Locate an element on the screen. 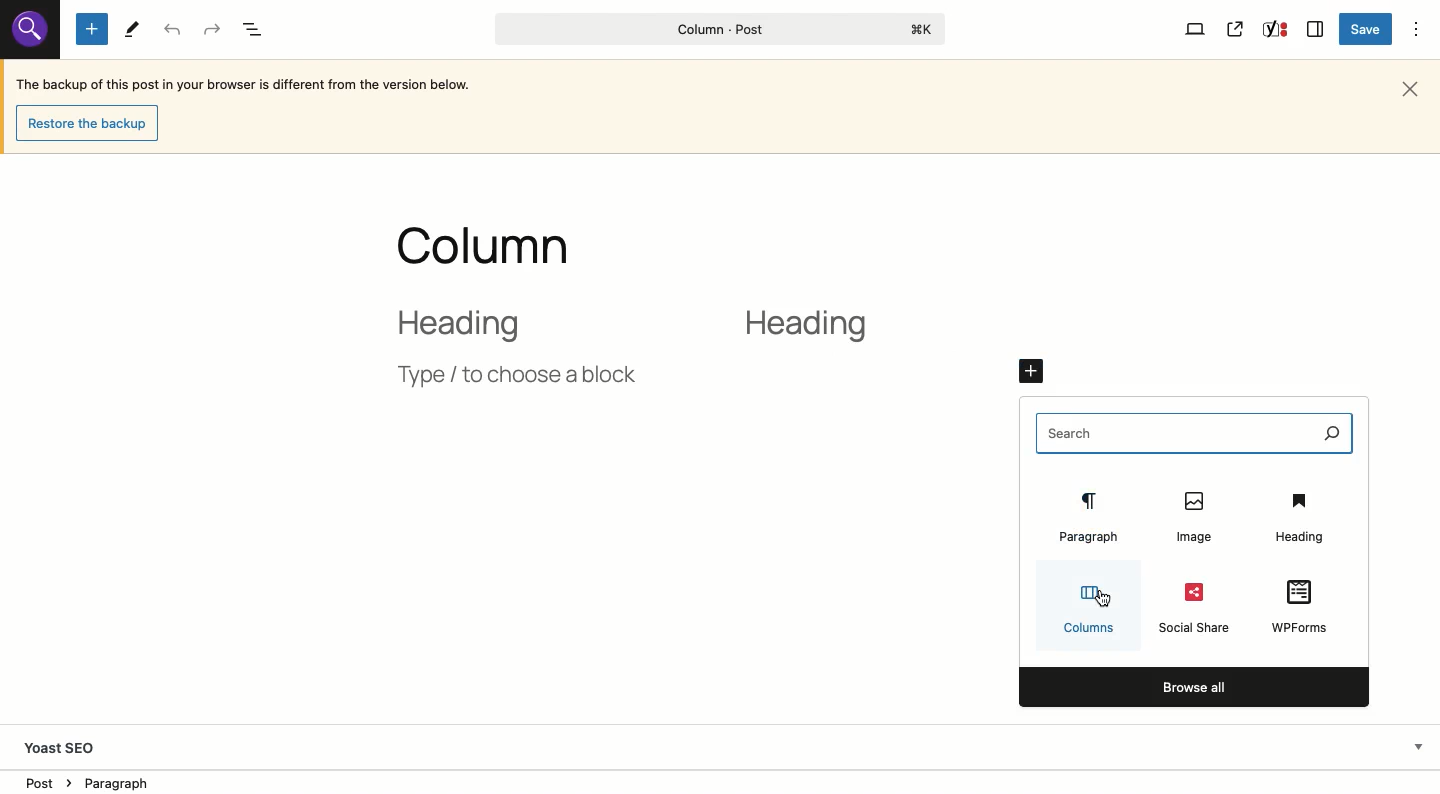  The backup of this post in your browser is different from the version below. is located at coordinates (245, 87).